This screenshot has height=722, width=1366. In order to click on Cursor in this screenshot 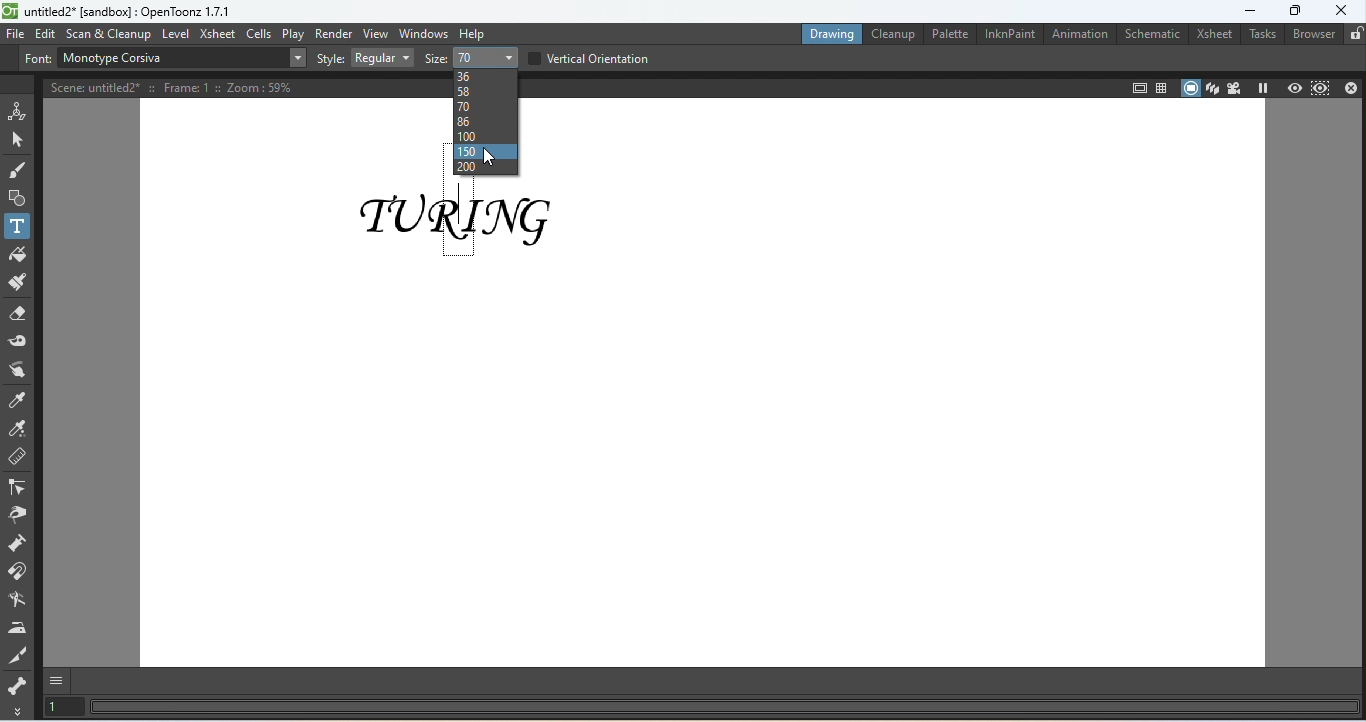, I will do `click(486, 157)`.